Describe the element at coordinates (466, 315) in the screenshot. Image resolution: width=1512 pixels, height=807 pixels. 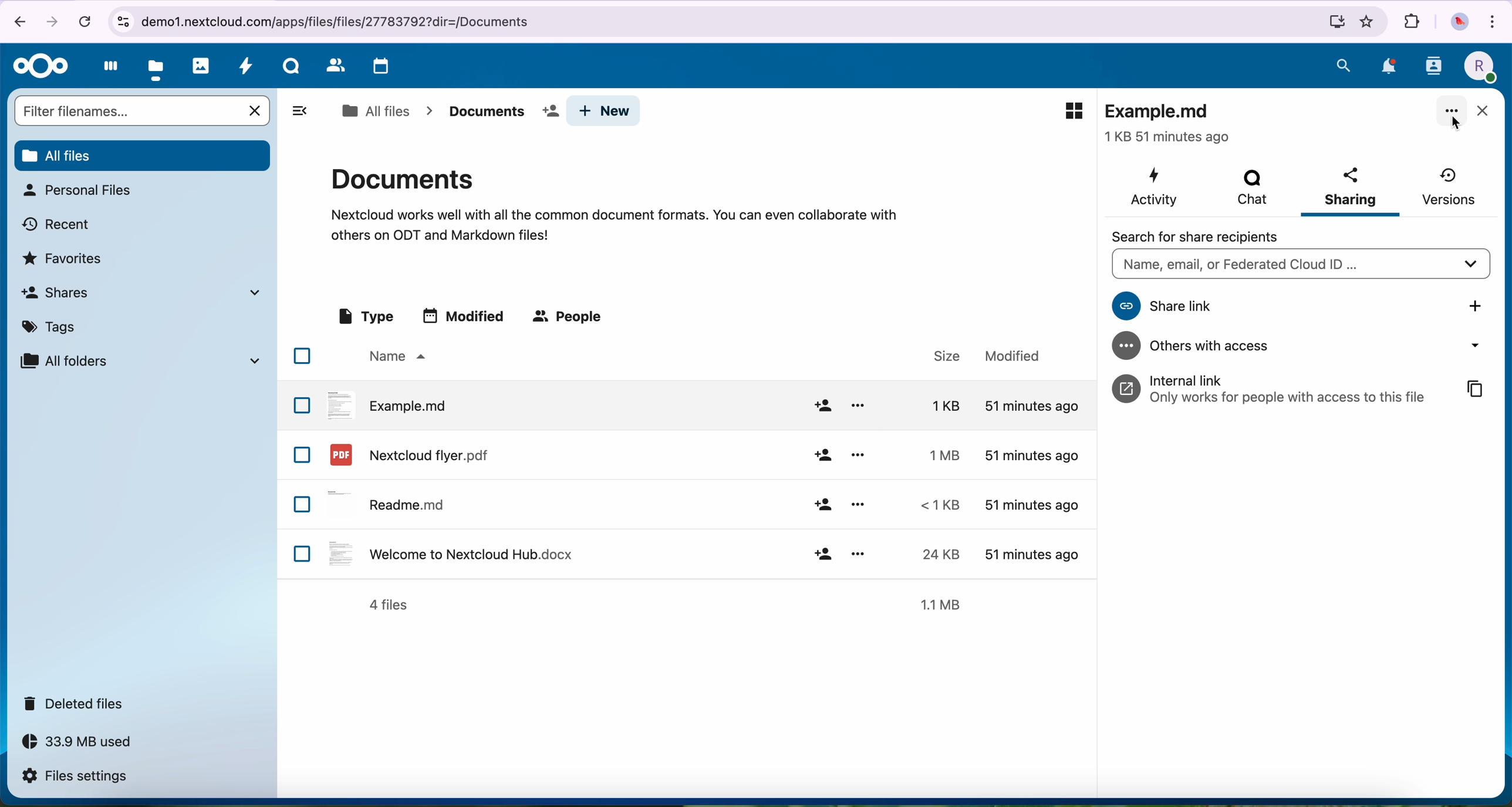
I see `modified` at that location.